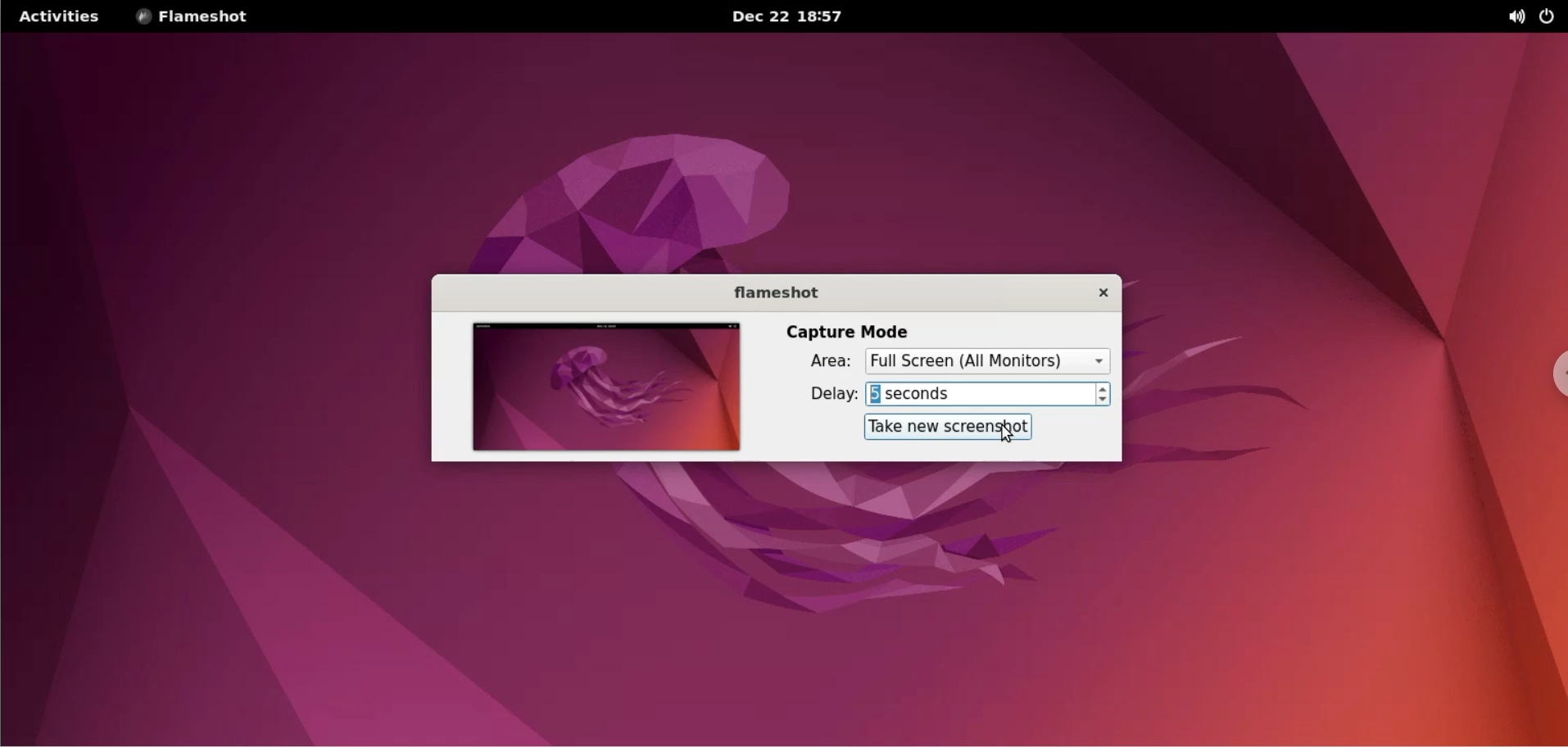  I want to click on delay:, so click(819, 394).